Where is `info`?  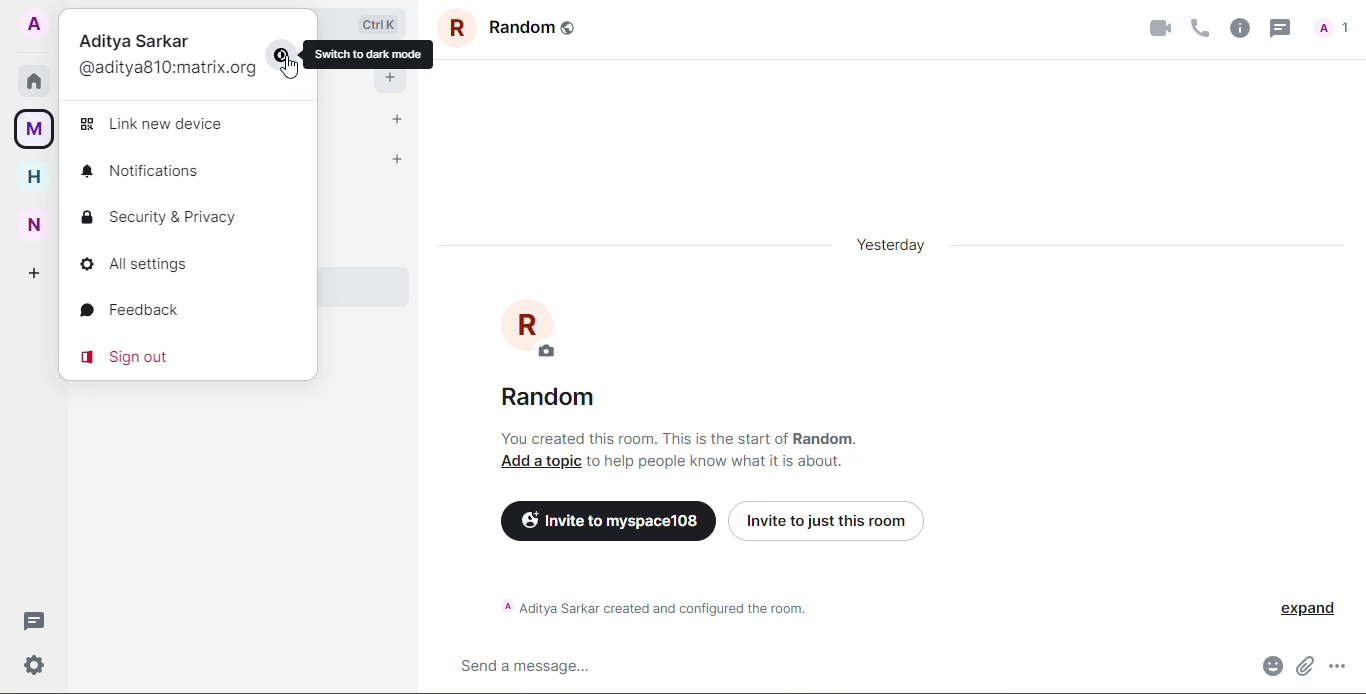 info is located at coordinates (717, 462).